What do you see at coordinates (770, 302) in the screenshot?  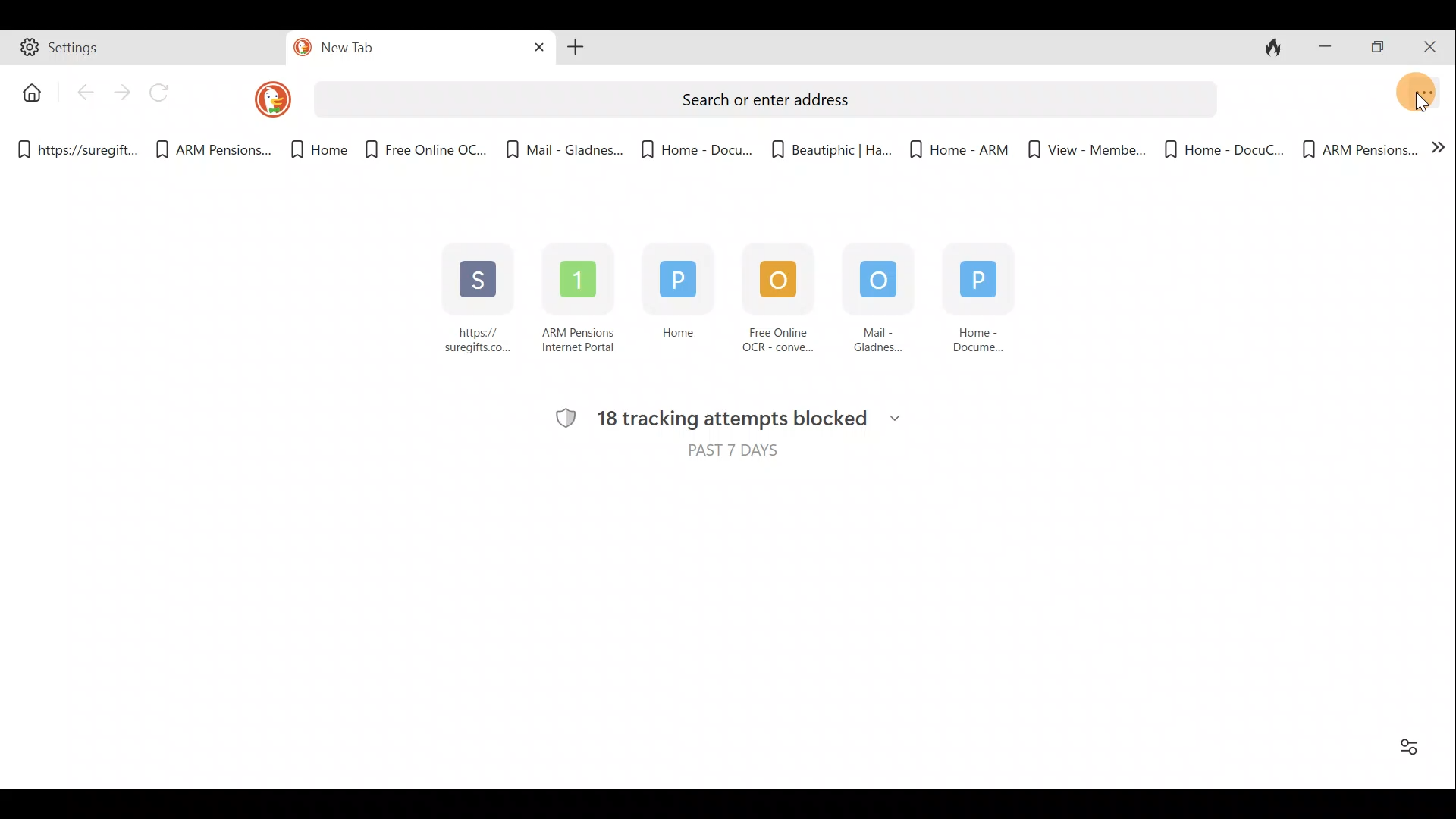 I see `Free Online
OCR - conve...` at bounding box center [770, 302].